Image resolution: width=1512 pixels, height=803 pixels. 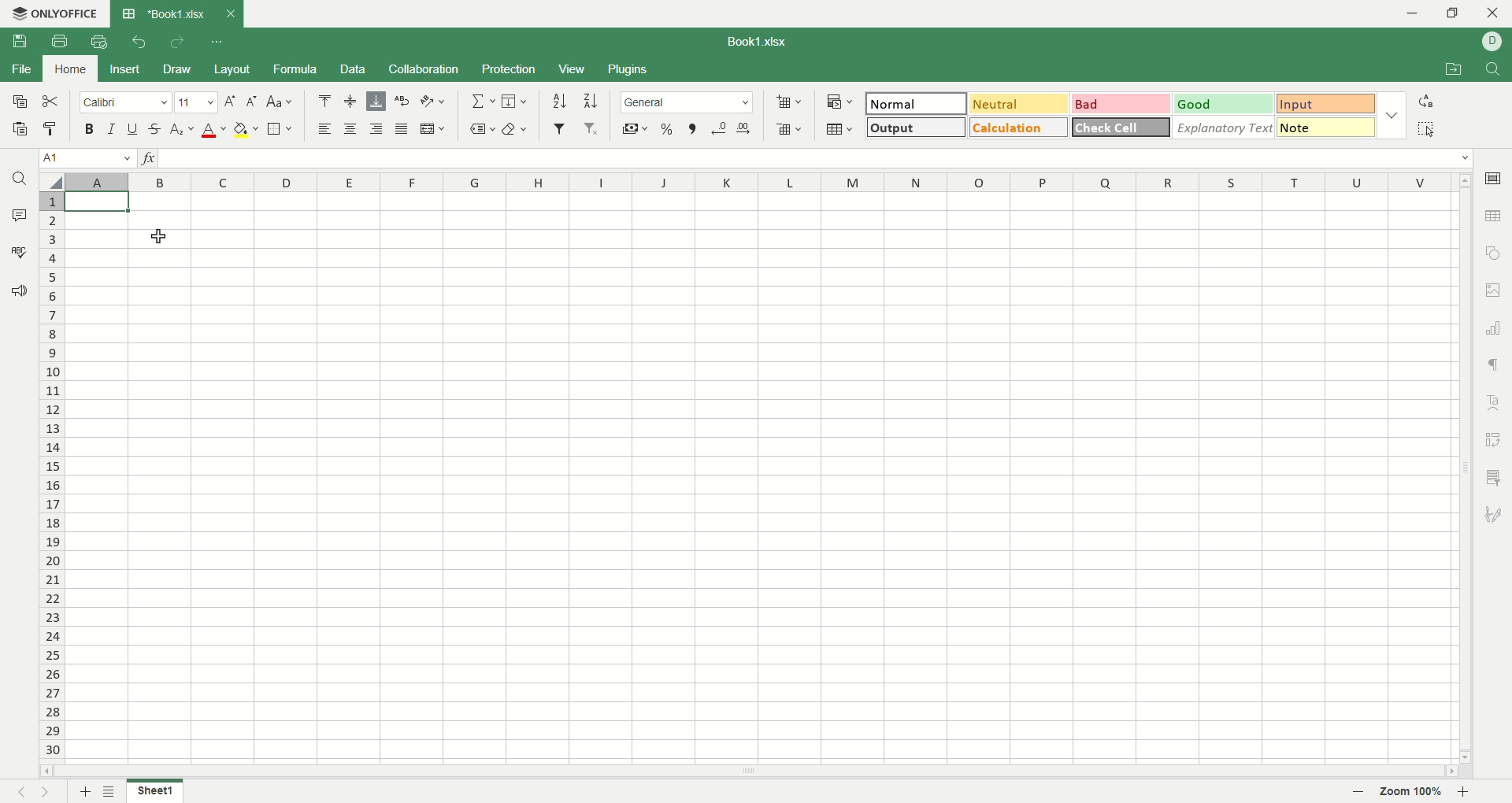 What do you see at coordinates (234, 70) in the screenshot?
I see `layout` at bounding box center [234, 70].